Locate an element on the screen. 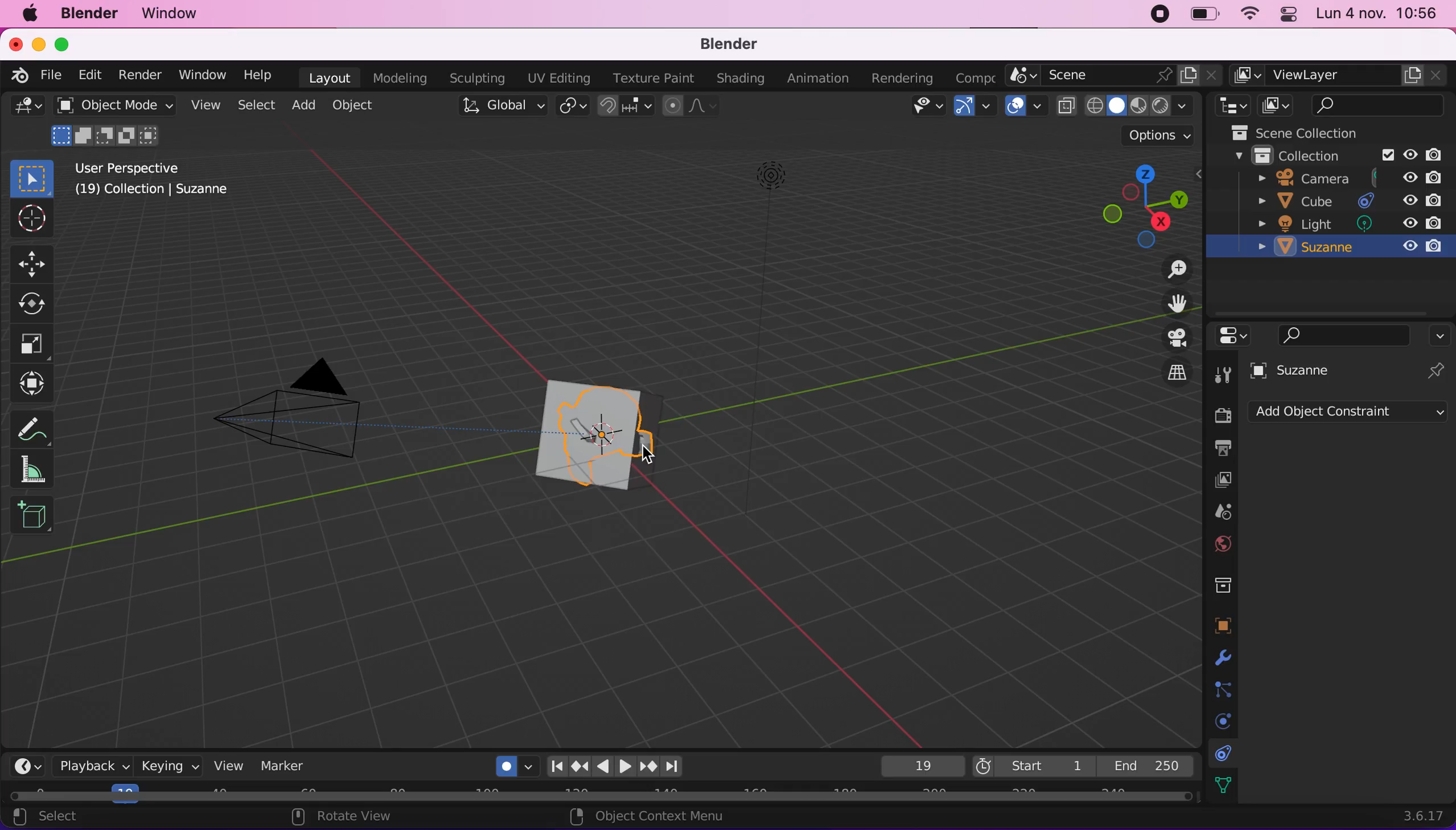 Image resolution: width=1456 pixels, height=830 pixels. collections is located at coordinates (1224, 583).